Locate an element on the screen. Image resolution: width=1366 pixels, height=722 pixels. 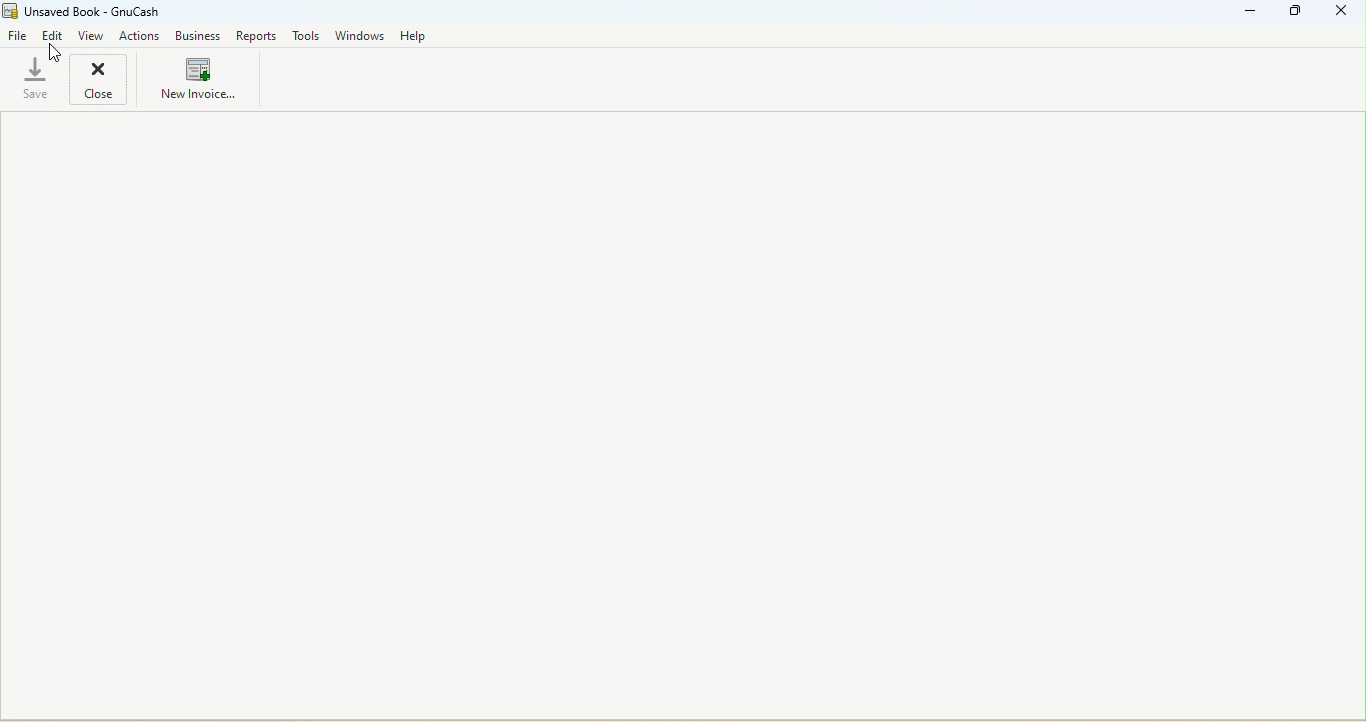
New invoices is located at coordinates (197, 82).